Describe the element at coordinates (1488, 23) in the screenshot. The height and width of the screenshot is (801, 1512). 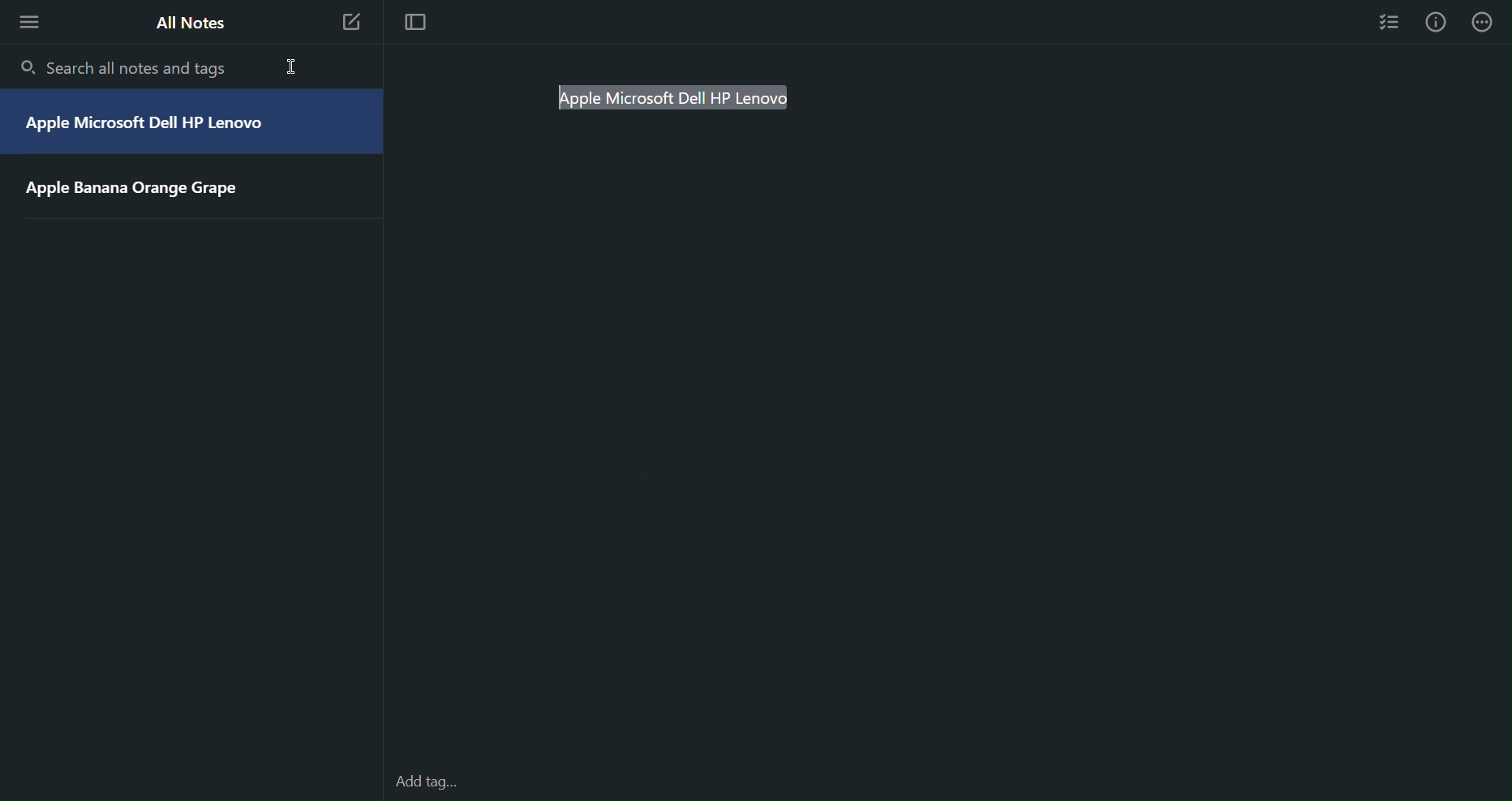
I see `More` at that location.